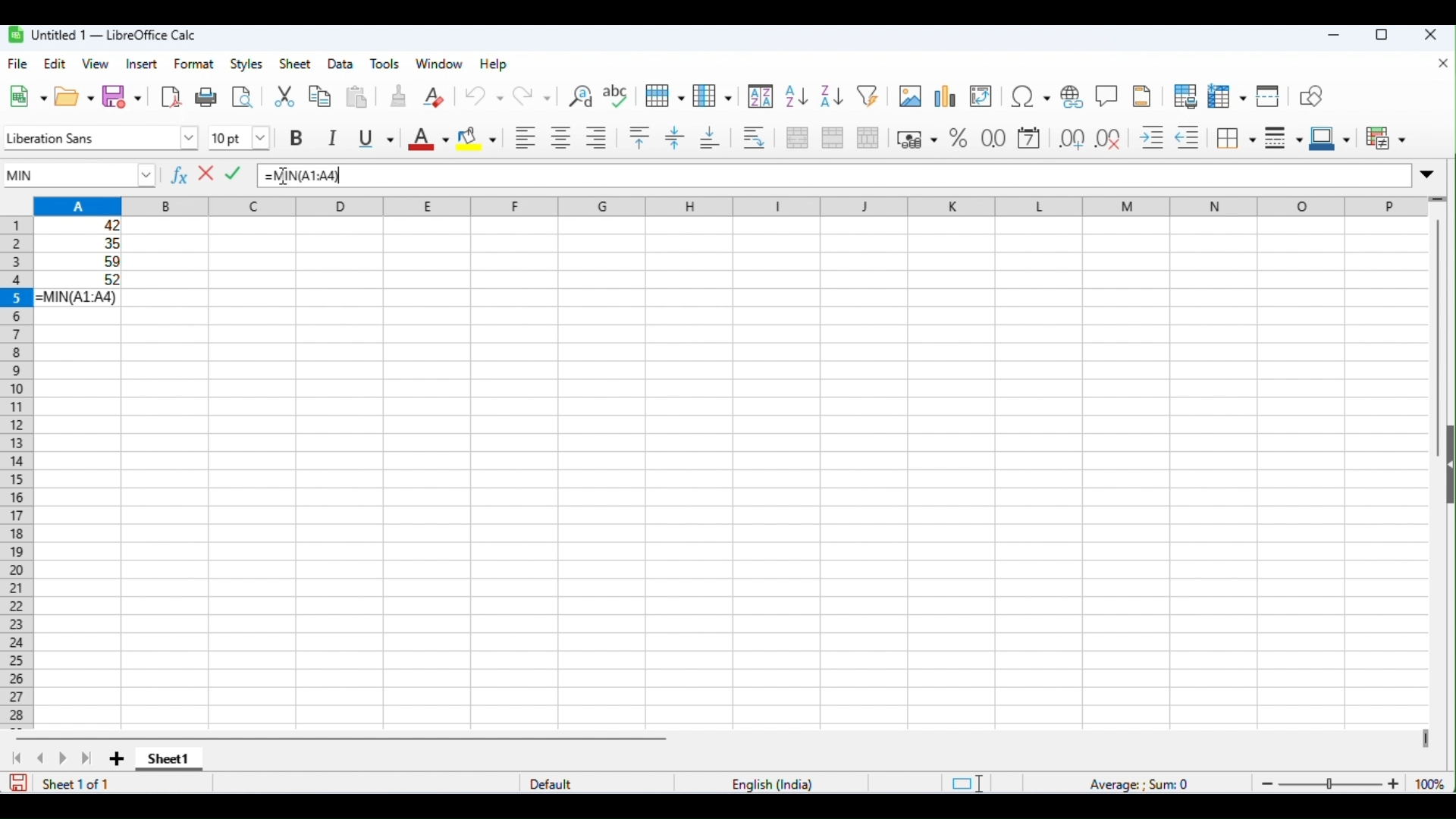  Describe the element at coordinates (22, 758) in the screenshot. I see `first sheet` at that location.